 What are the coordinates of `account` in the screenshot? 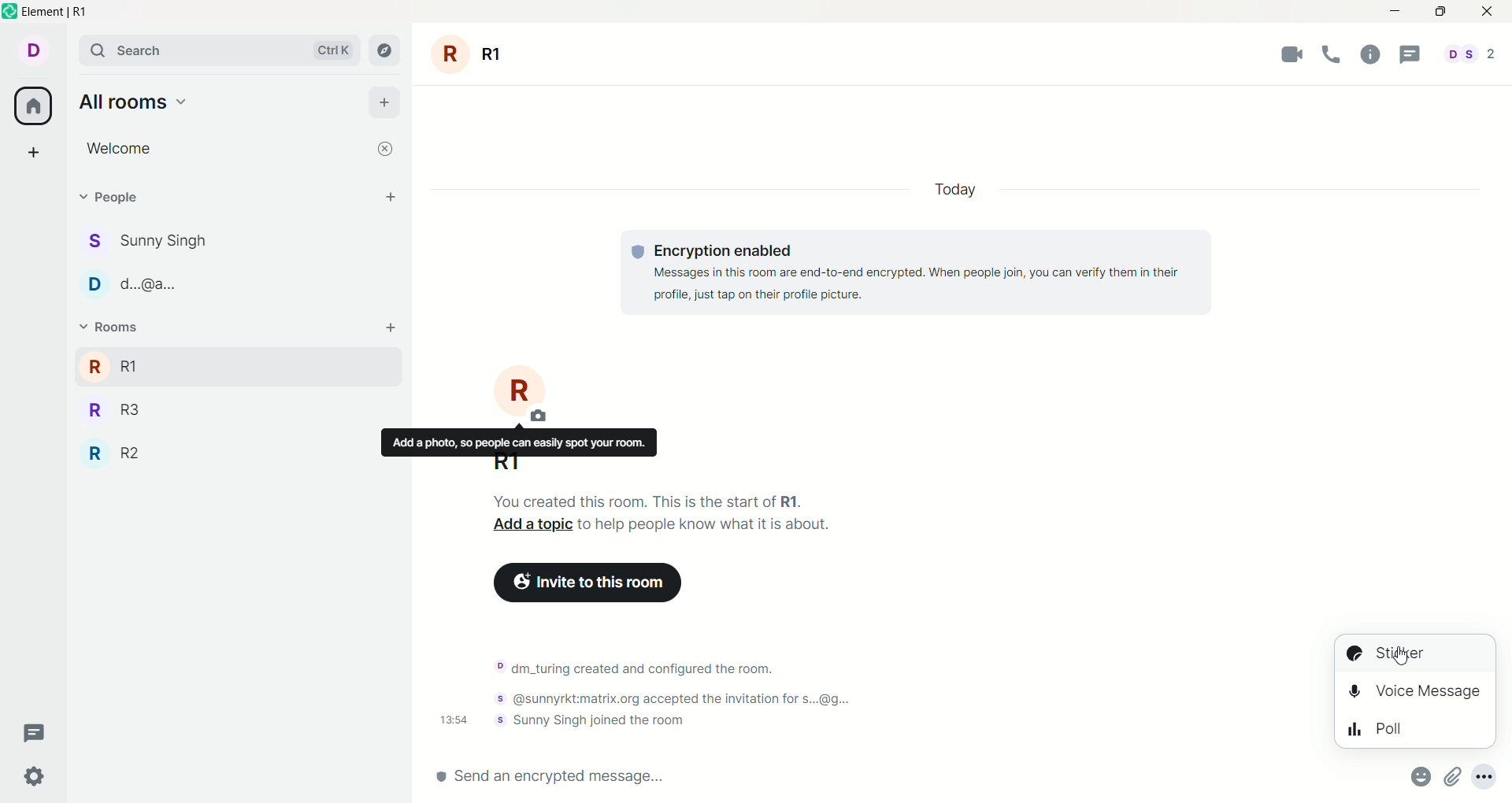 It's located at (33, 50).